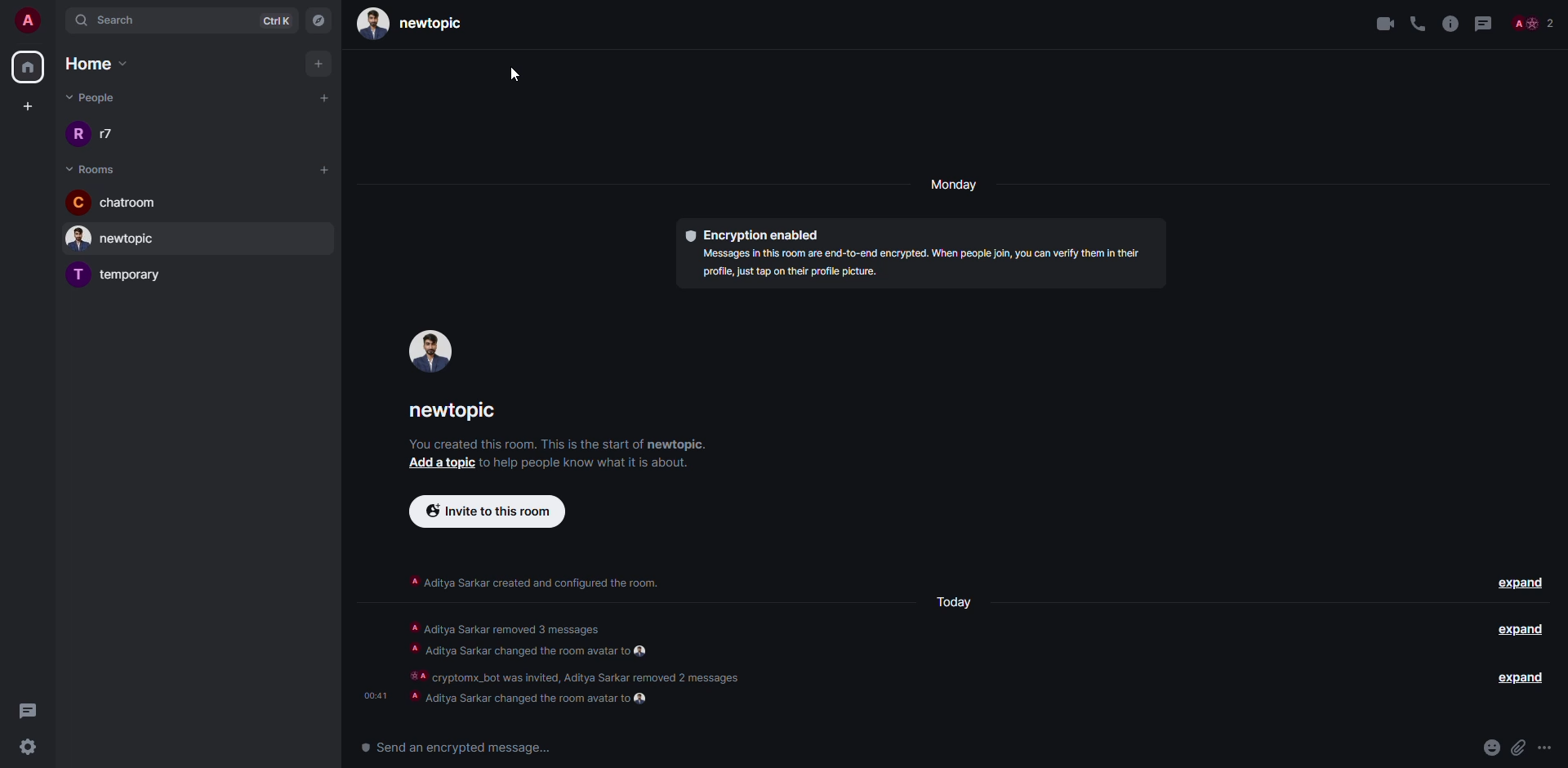  I want to click on send a encrypted message, so click(452, 747).